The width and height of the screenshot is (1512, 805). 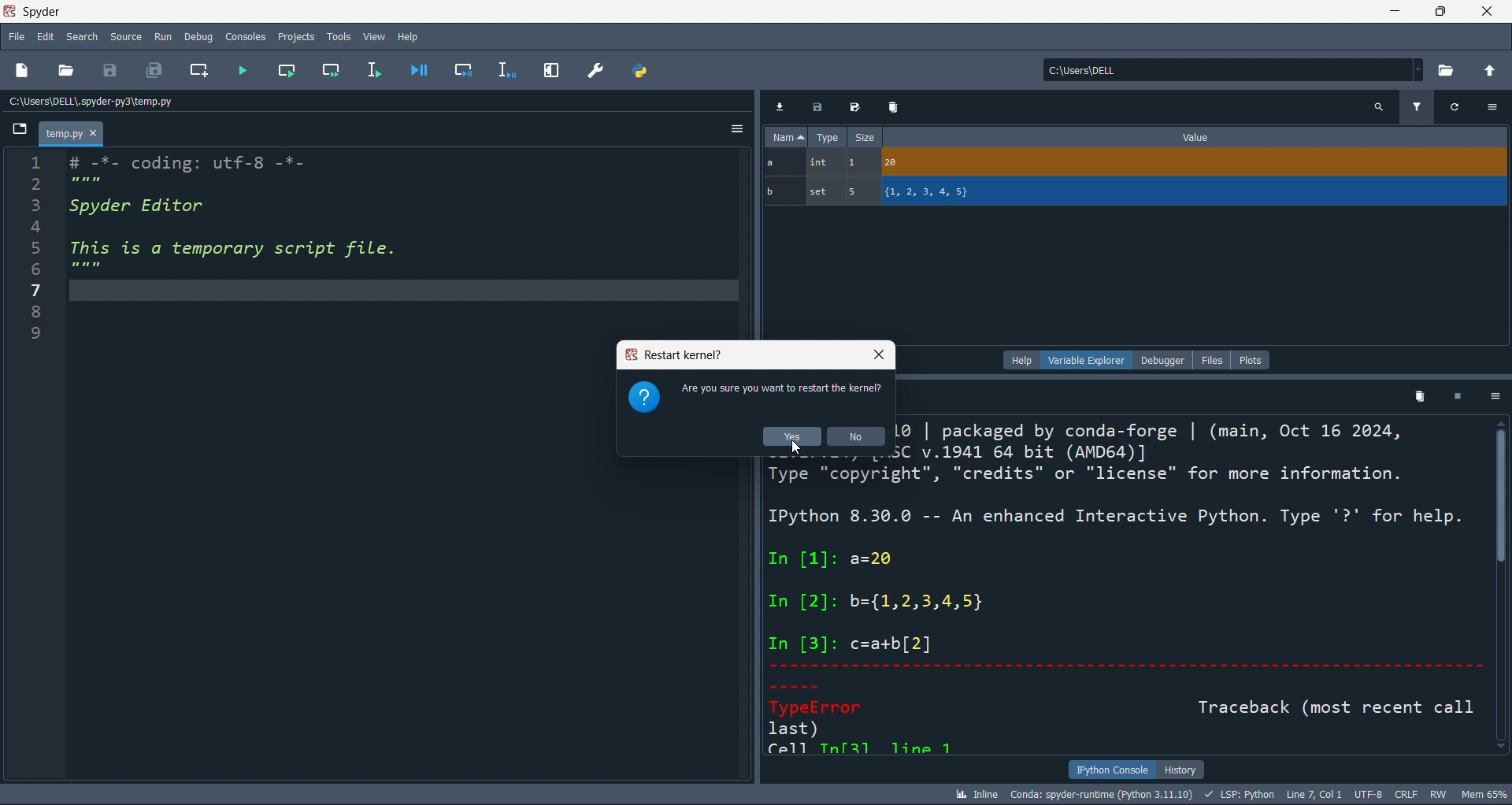 I want to click on a, int, 1, 20, so click(x=1136, y=162).